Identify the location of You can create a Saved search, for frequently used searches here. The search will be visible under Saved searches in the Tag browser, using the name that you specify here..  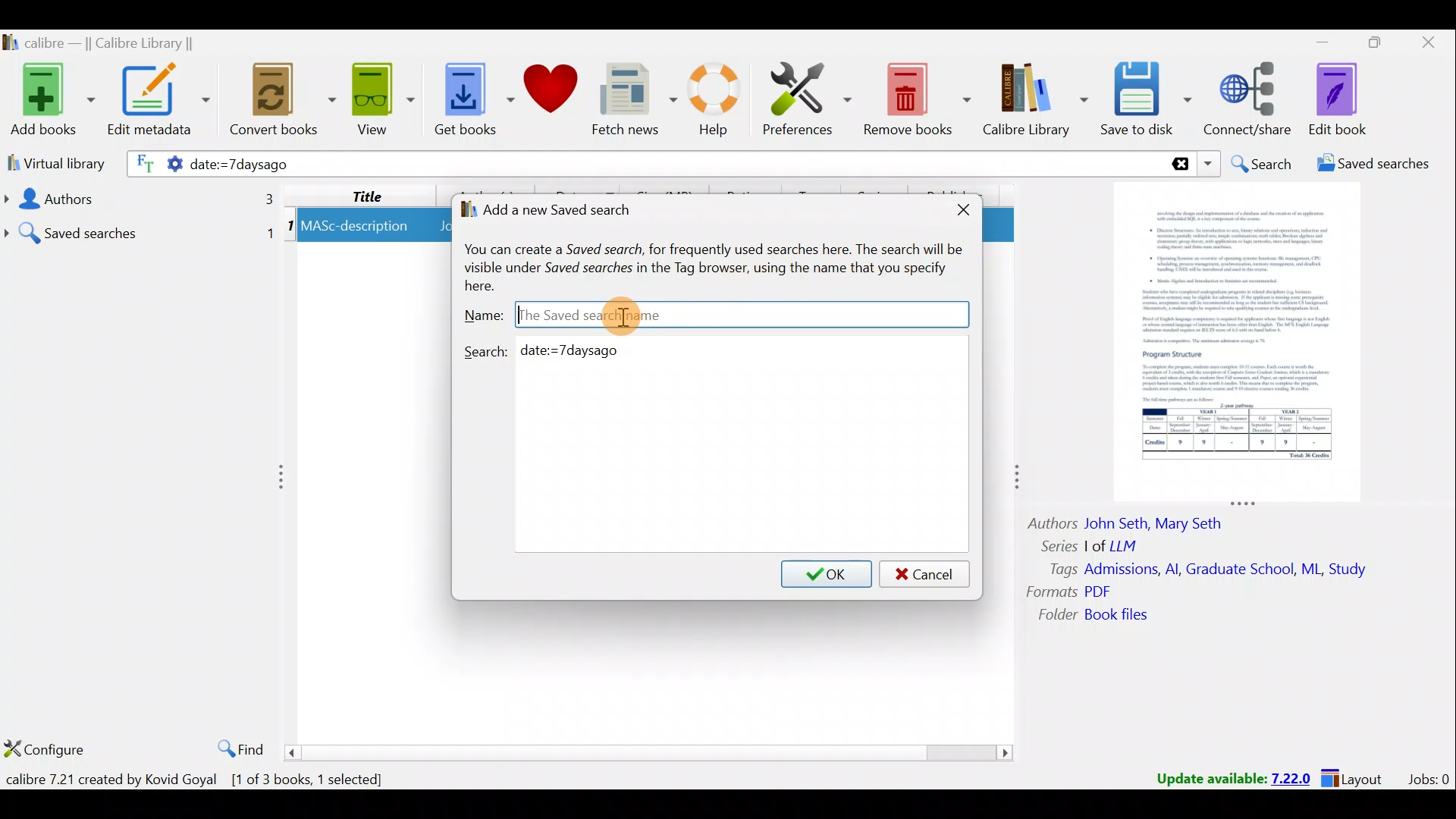
(723, 264).